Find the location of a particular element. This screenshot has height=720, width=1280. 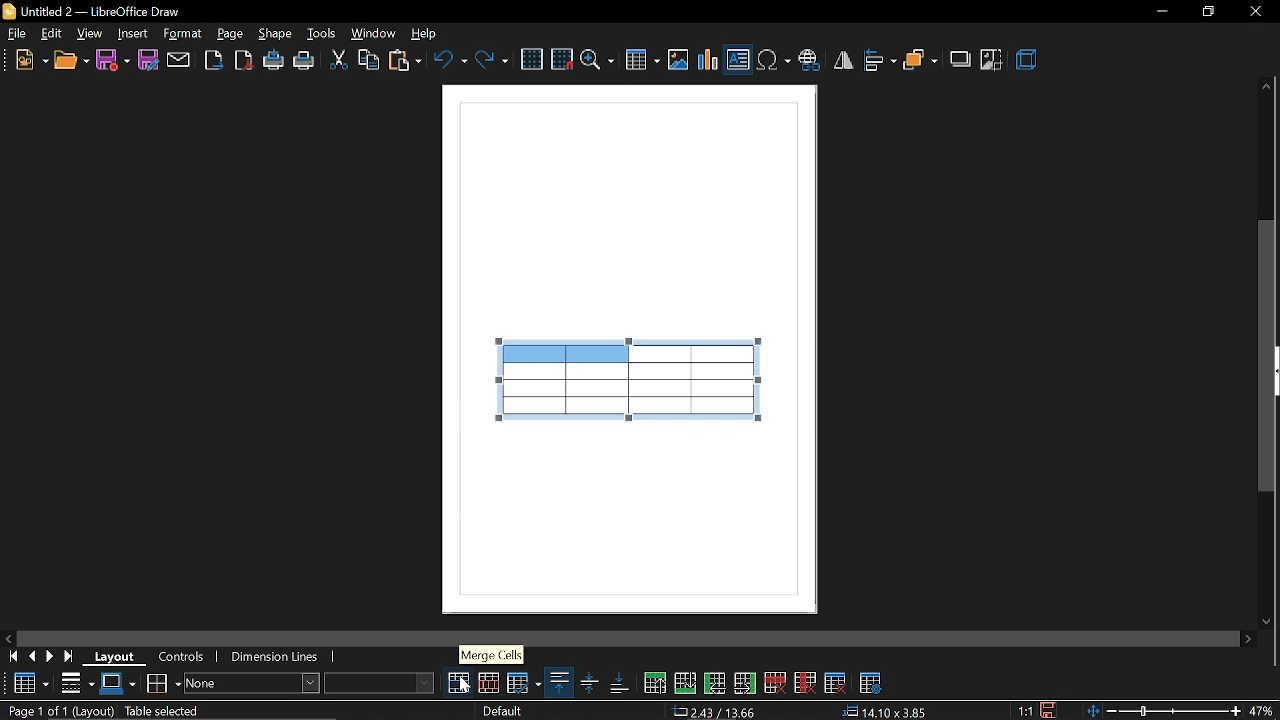

insert chart is located at coordinates (708, 58).